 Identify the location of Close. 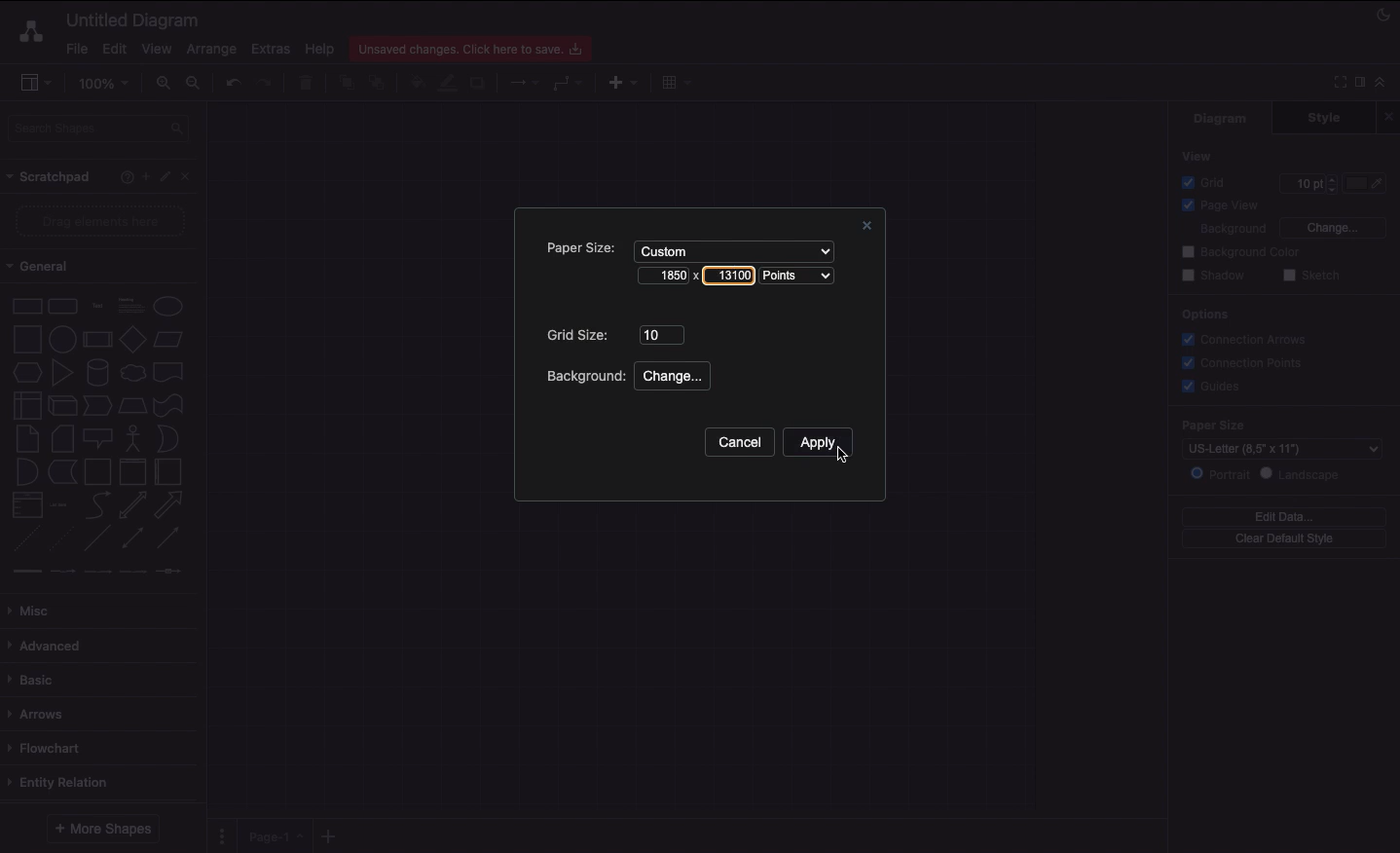
(191, 175).